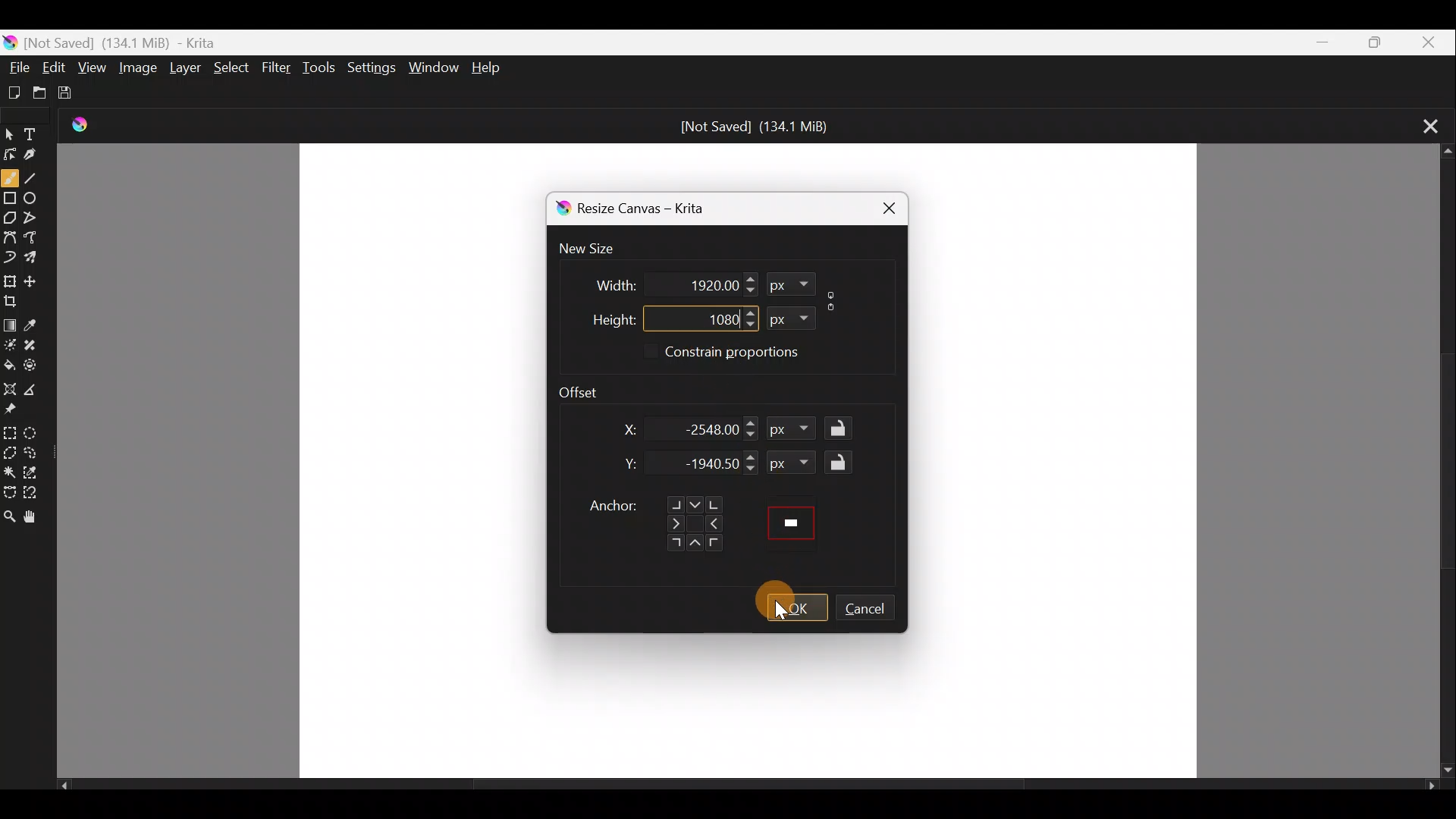 Image resolution: width=1456 pixels, height=819 pixels. Describe the element at coordinates (752, 420) in the screenshot. I see `Increase X dimension` at that location.